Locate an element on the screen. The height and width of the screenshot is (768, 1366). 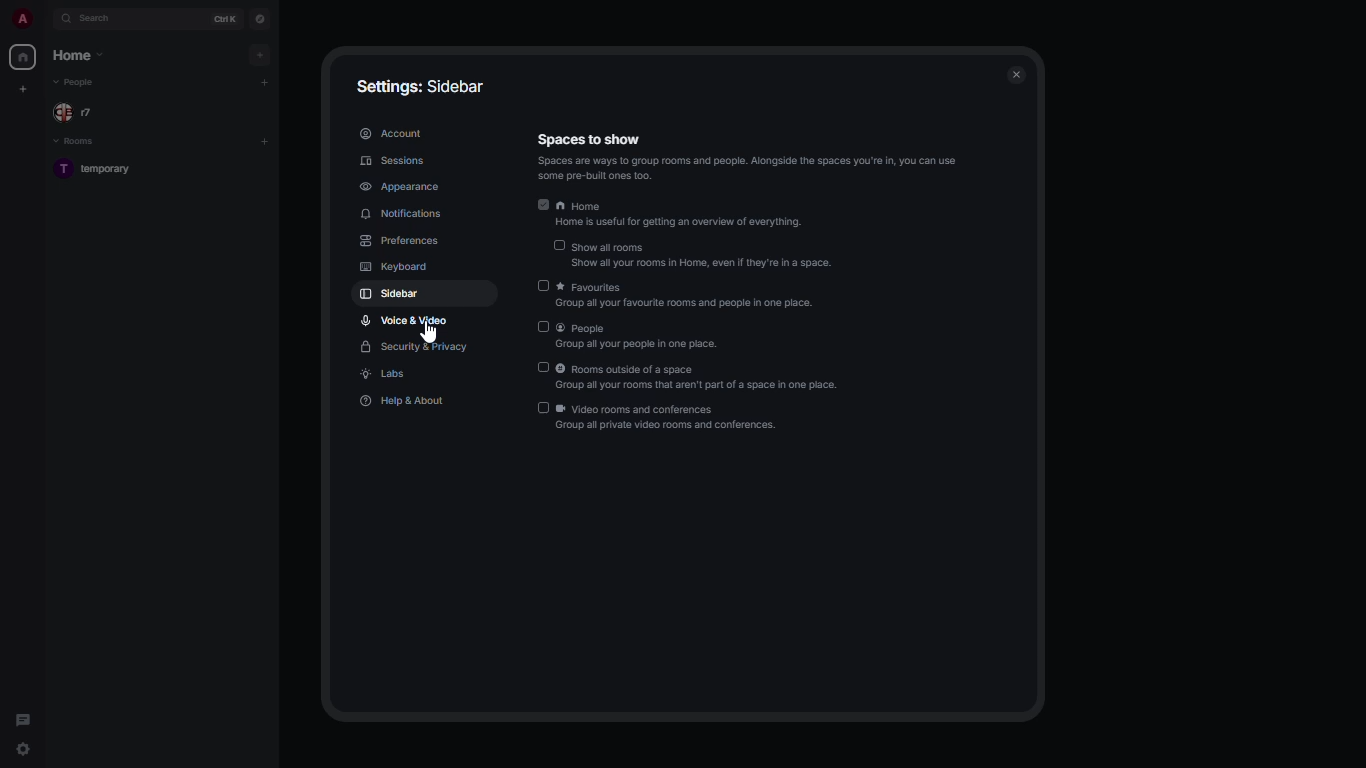
preferences is located at coordinates (399, 241).